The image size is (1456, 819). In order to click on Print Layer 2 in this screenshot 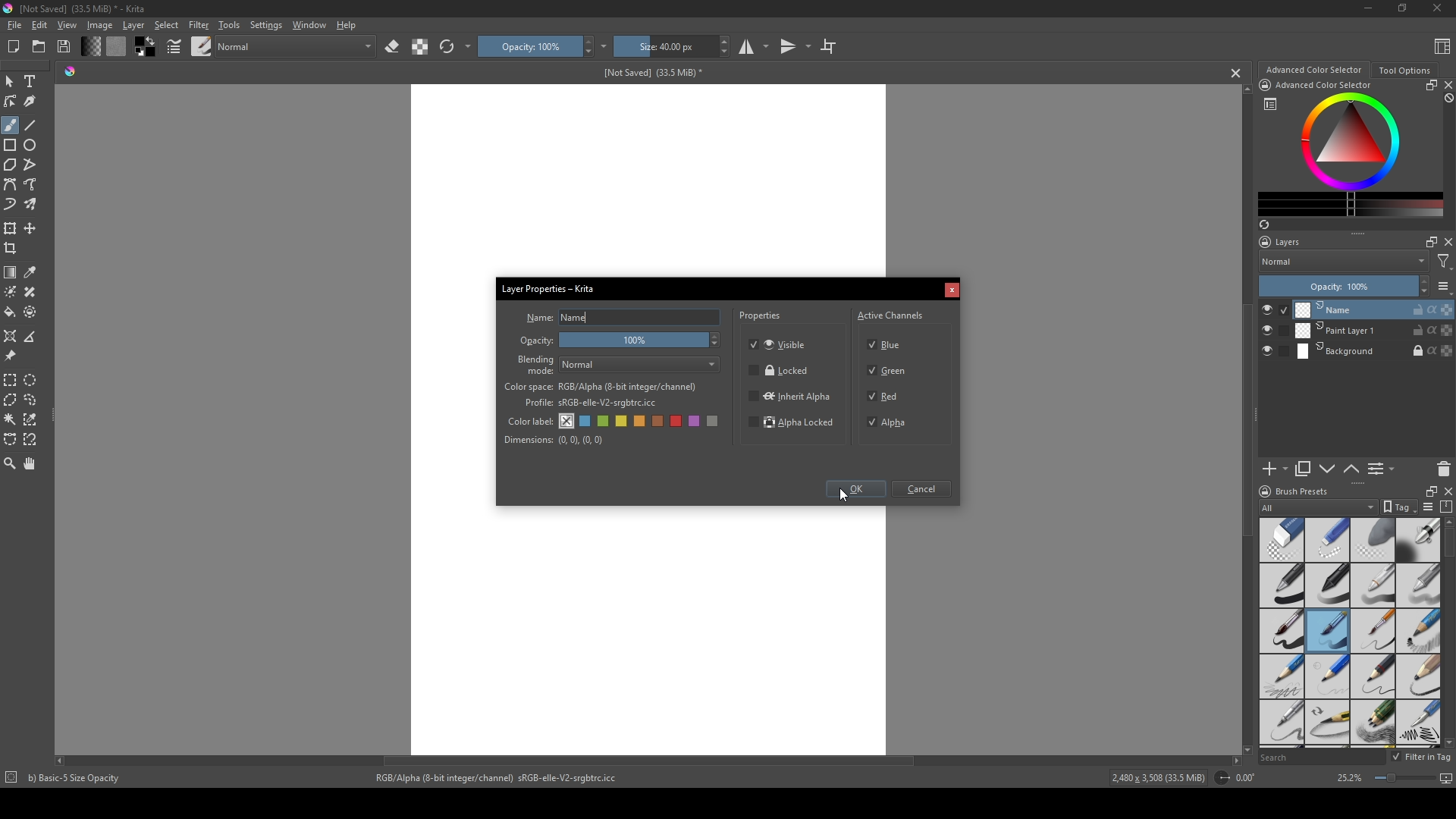, I will do `click(1373, 309)`.